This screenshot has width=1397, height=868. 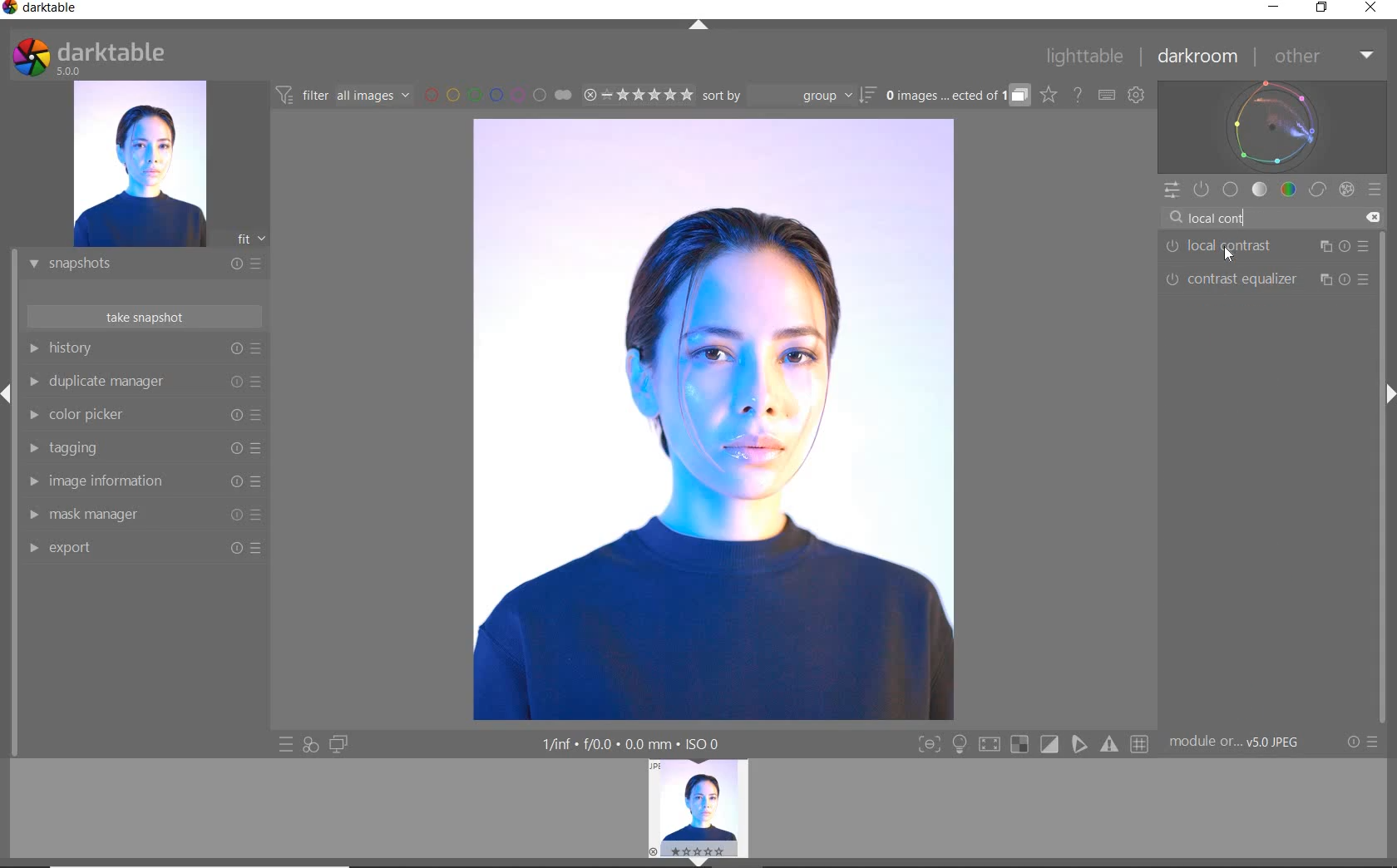 I want to click on OTHER, so click(x=1322, y=57).